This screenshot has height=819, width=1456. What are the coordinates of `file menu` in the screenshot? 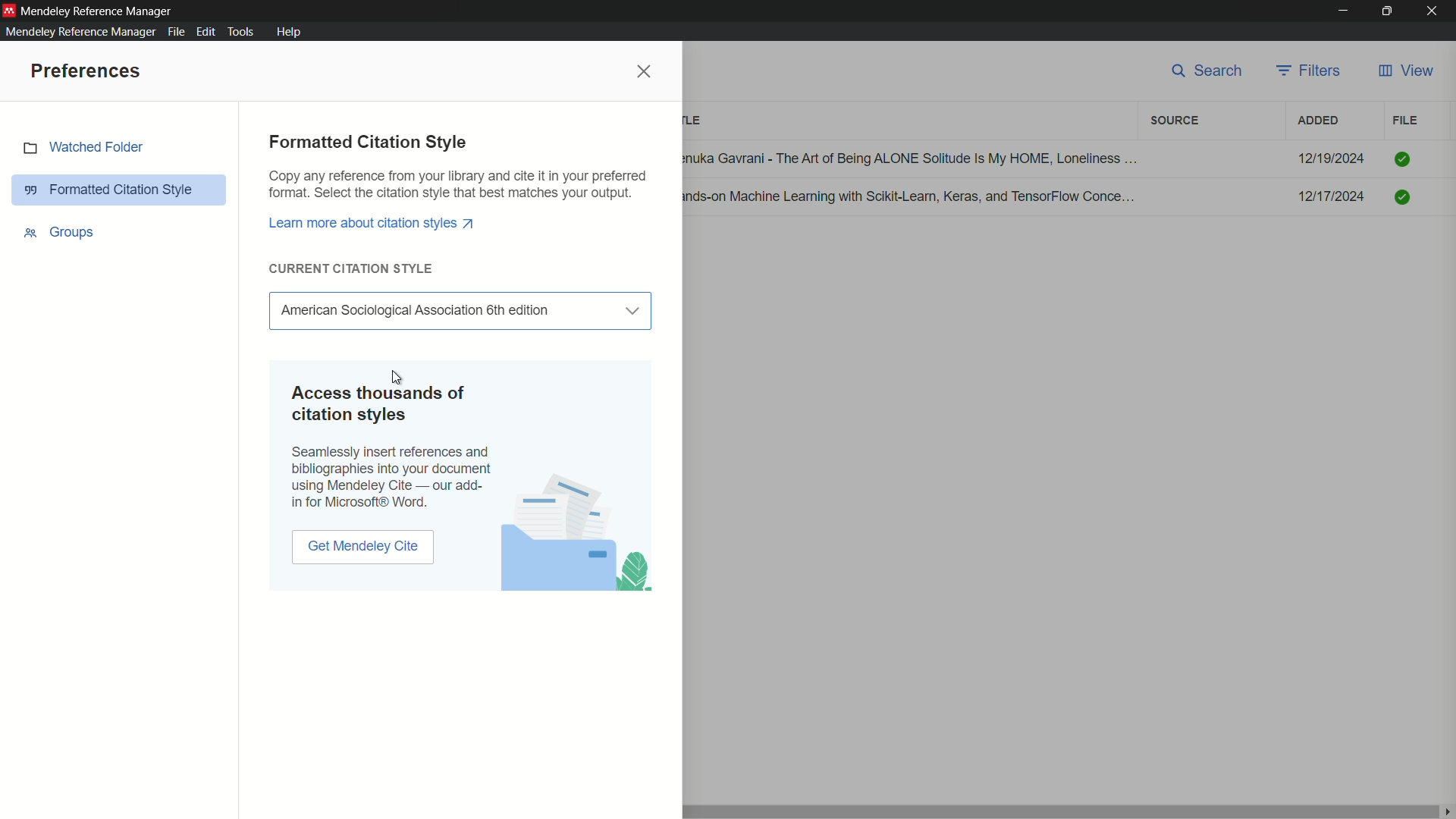 It's located at (177, 33).